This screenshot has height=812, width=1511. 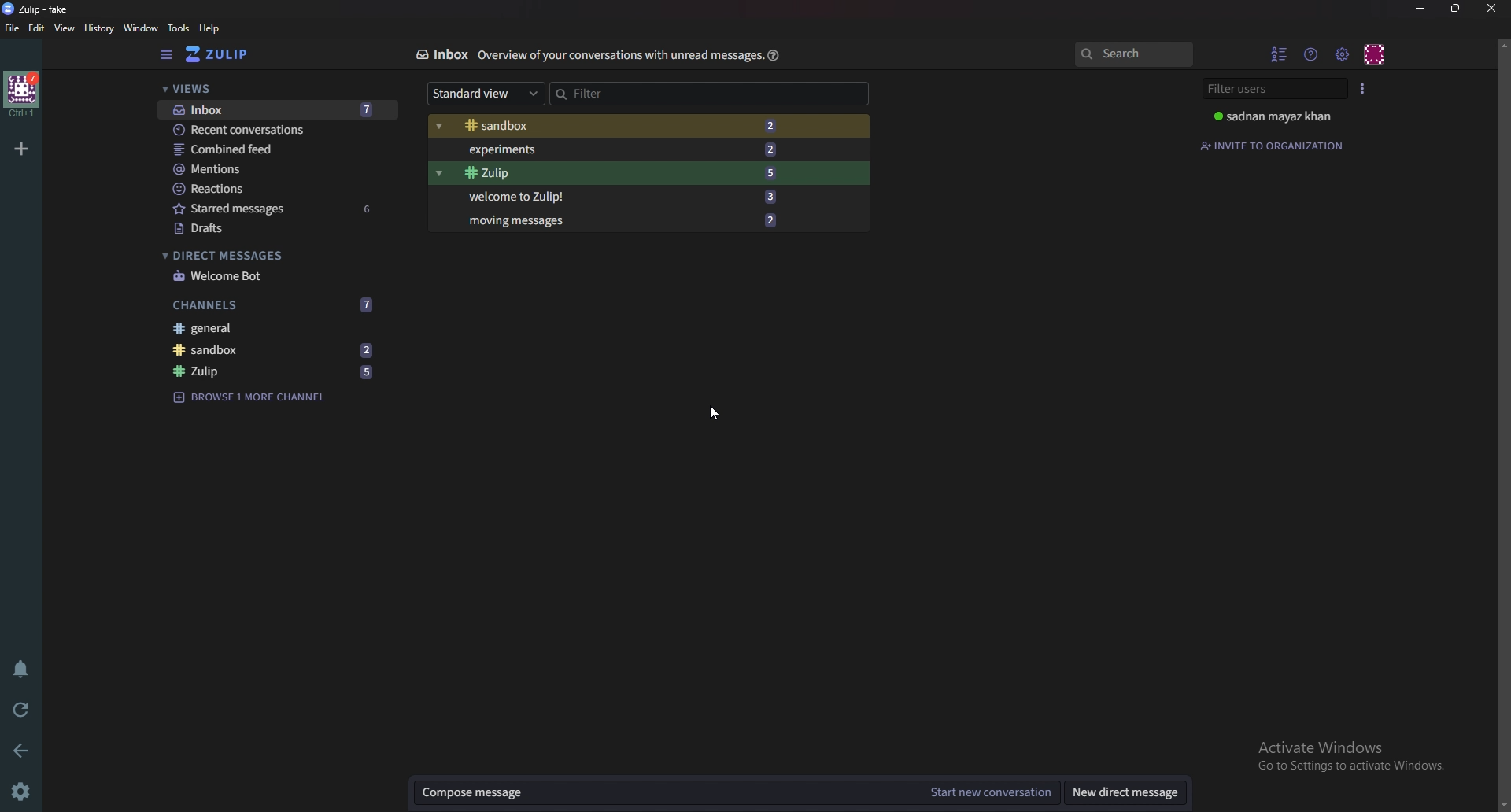 What do you see at coordinates (276, 303) in the screenshot?
I see `Channels` at bounding box center [276, 303].